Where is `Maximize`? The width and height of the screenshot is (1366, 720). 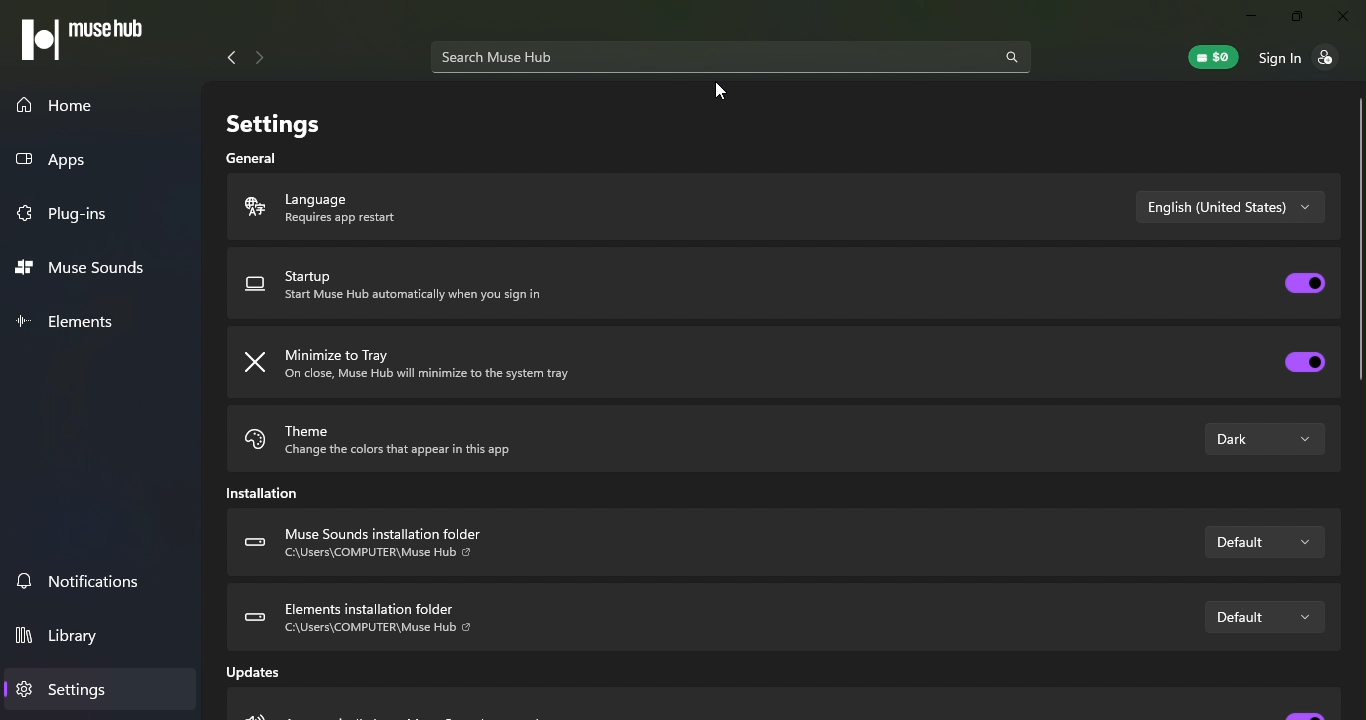
Maximize is located at coordinates (1297, 19).